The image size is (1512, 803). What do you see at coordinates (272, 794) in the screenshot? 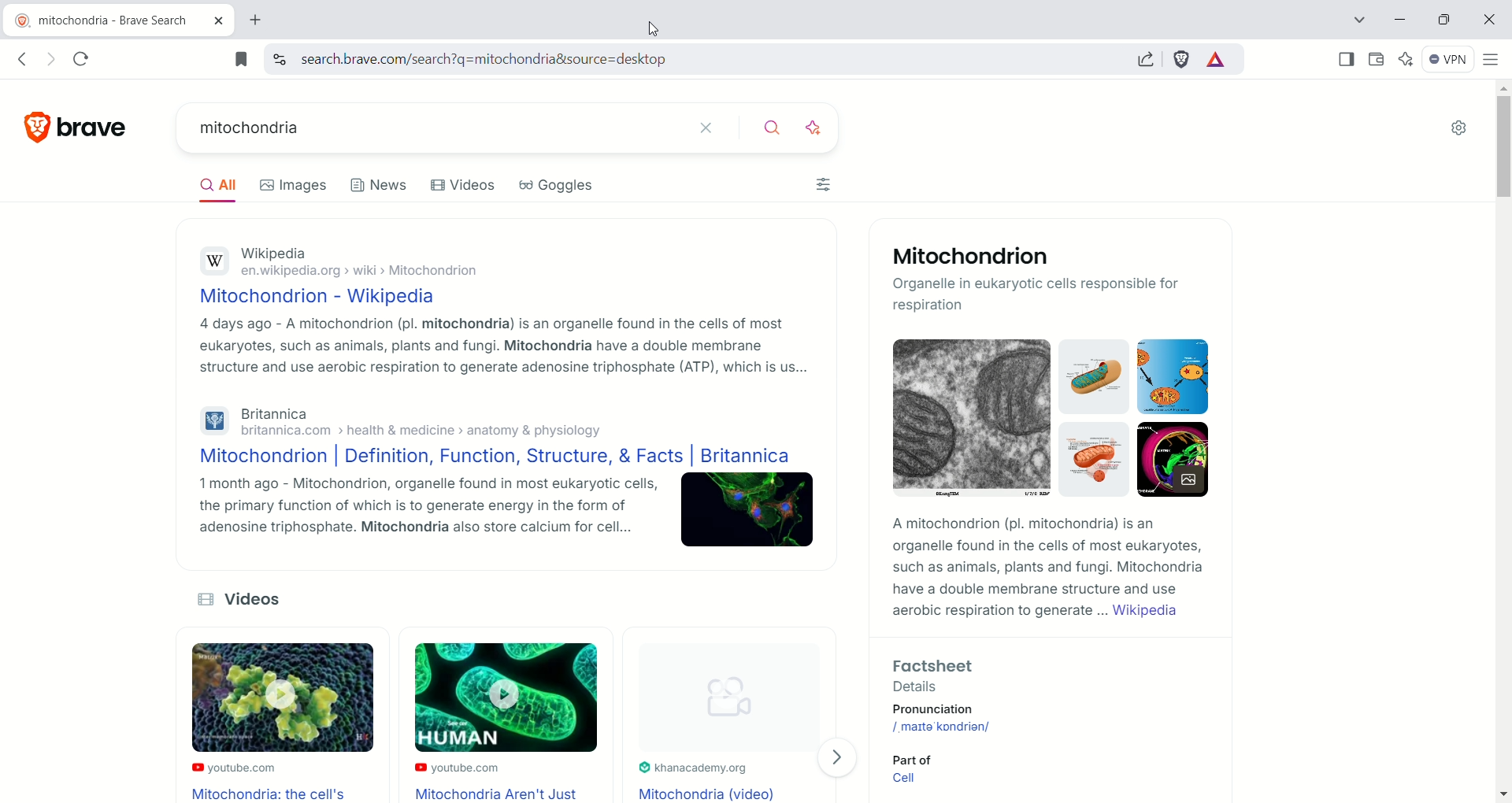
I see `Mitochondria: the cell's` at bounding box center [272, 794].